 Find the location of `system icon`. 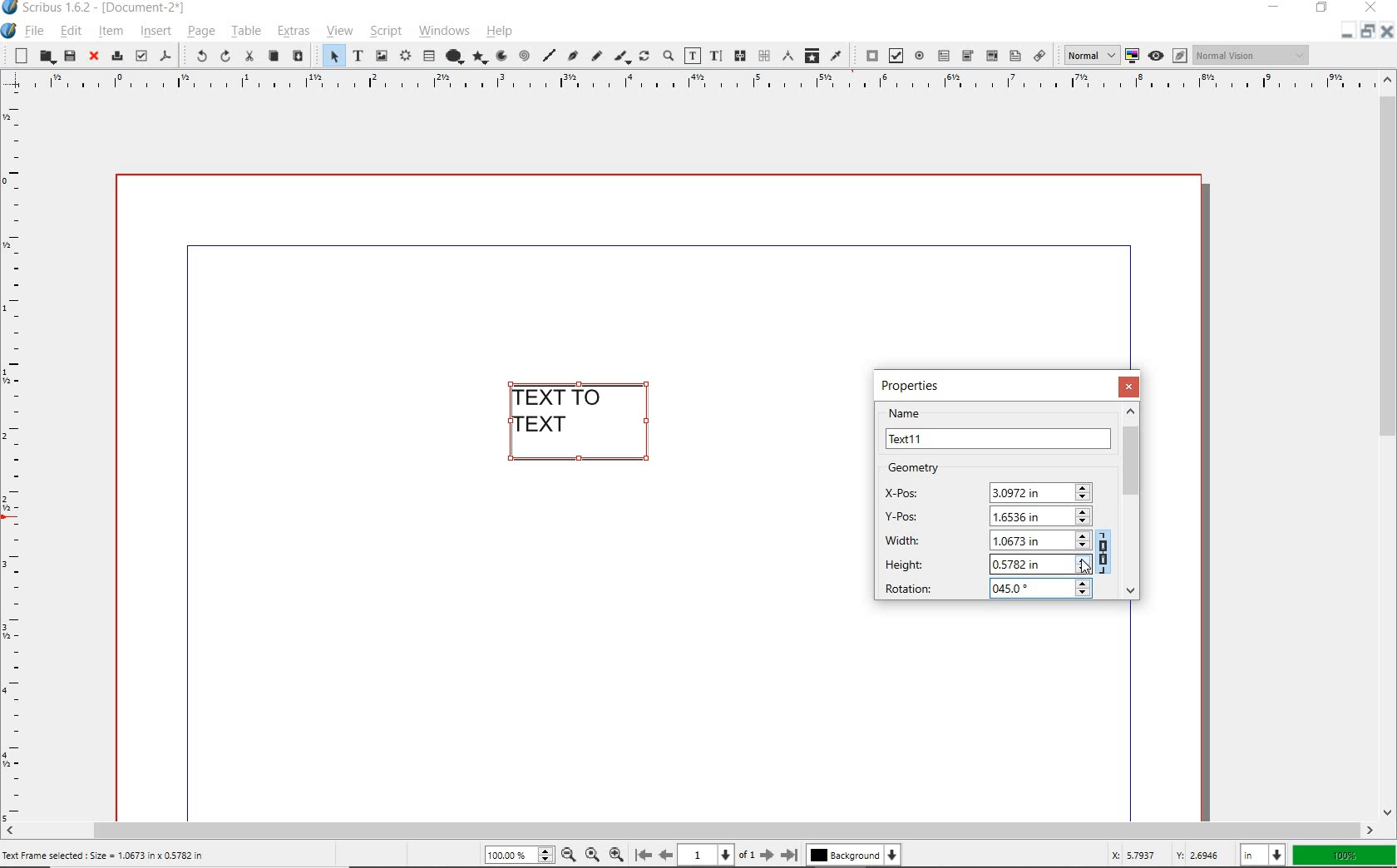

system icon is located at coordinates (10, 32).